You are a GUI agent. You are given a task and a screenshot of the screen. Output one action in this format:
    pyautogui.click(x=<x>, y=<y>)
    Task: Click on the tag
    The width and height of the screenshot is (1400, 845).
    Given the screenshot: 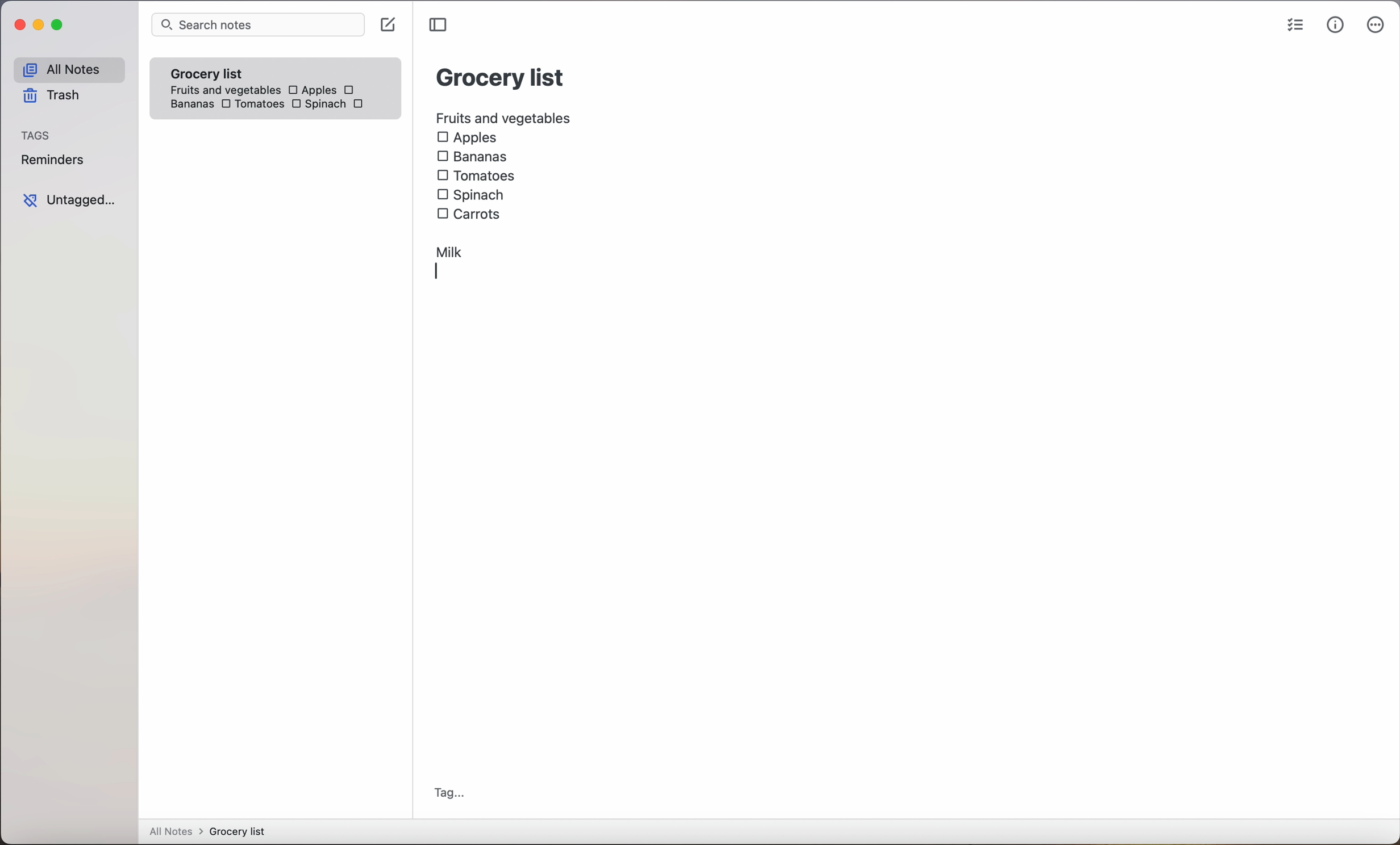 What is the action you would take?
    pyautogui.click(x=449, y=793)
    